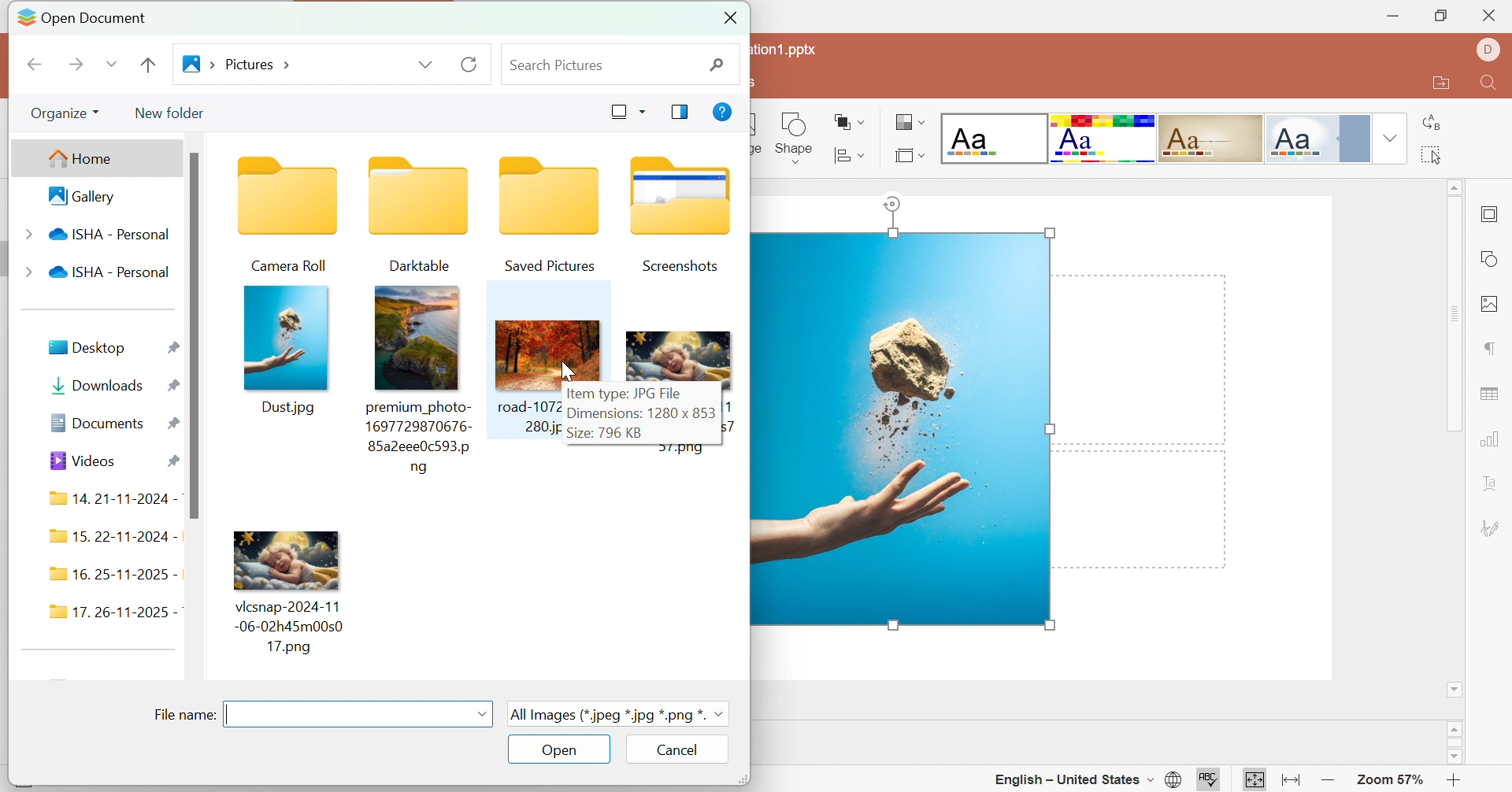 The image size is (1512, 792). What do you see at coordinates (724, 109) in the screenshot?
I see `Get help` at bounding box center [724, 109].